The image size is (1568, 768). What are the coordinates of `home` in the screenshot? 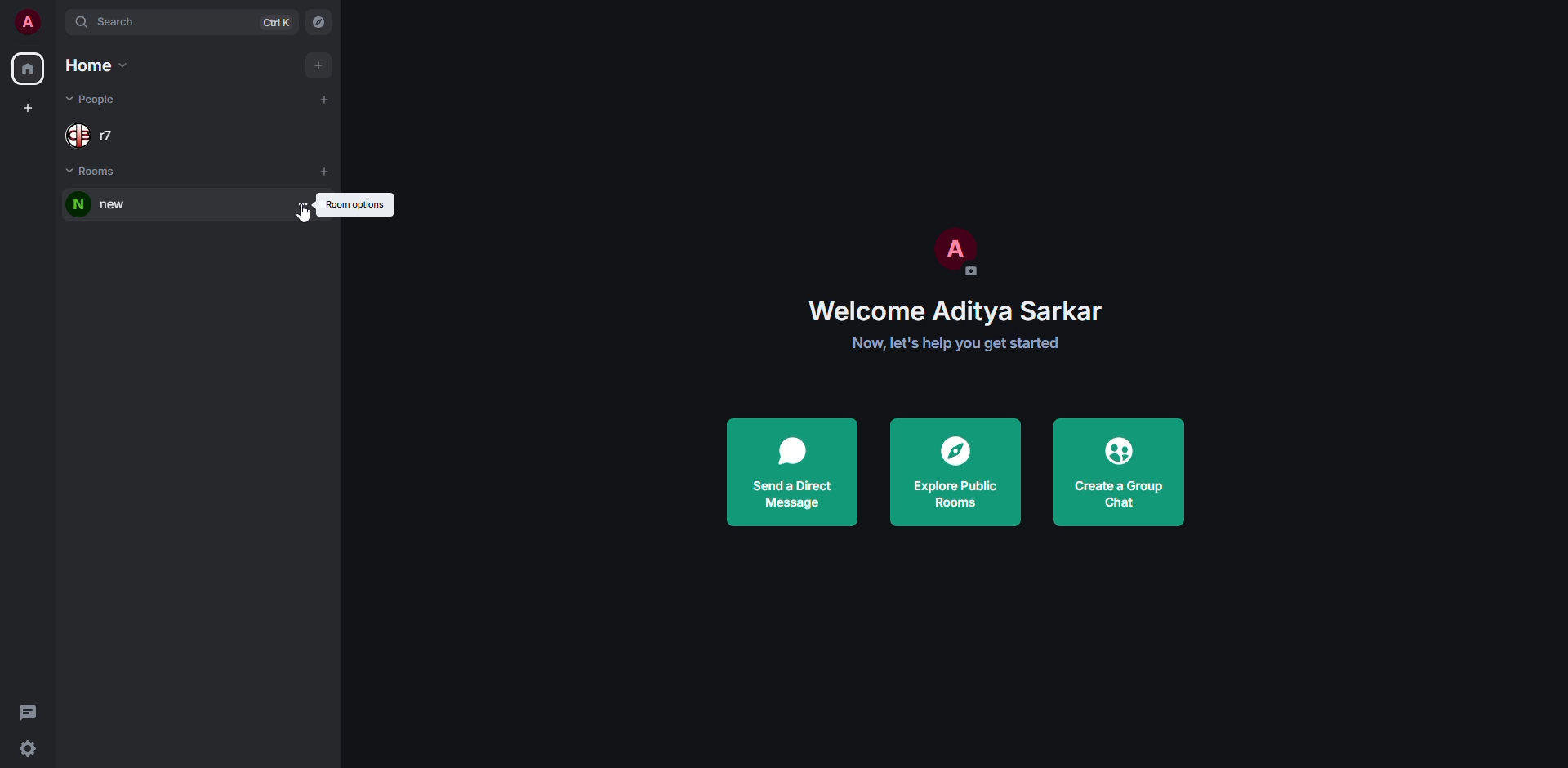 It's located at (99, 66).